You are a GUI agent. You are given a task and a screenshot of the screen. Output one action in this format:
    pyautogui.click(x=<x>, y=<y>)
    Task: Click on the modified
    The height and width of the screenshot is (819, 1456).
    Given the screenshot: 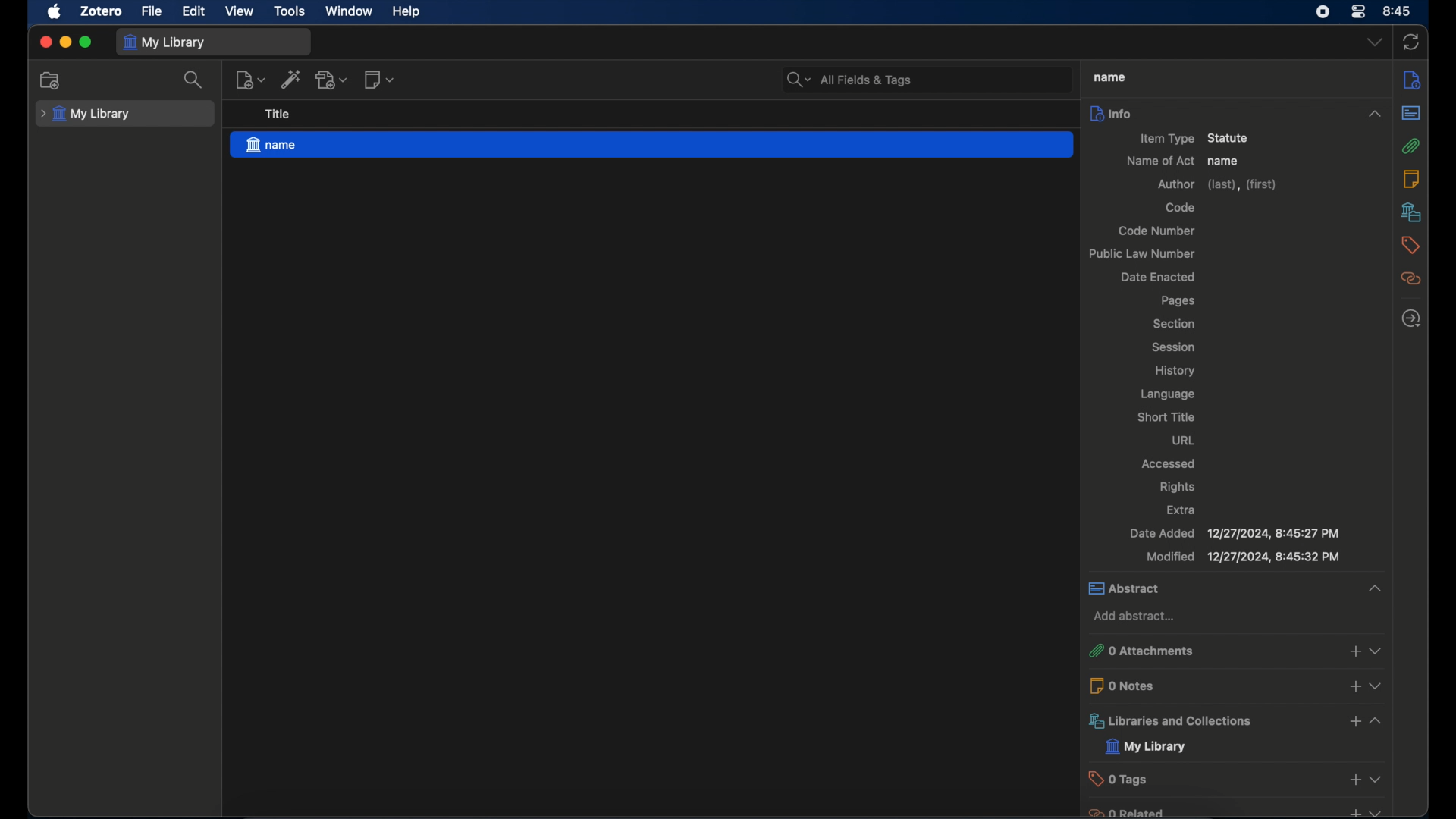 What is the action you would take?
    pyautogui.click(x=1242, y=557)
    